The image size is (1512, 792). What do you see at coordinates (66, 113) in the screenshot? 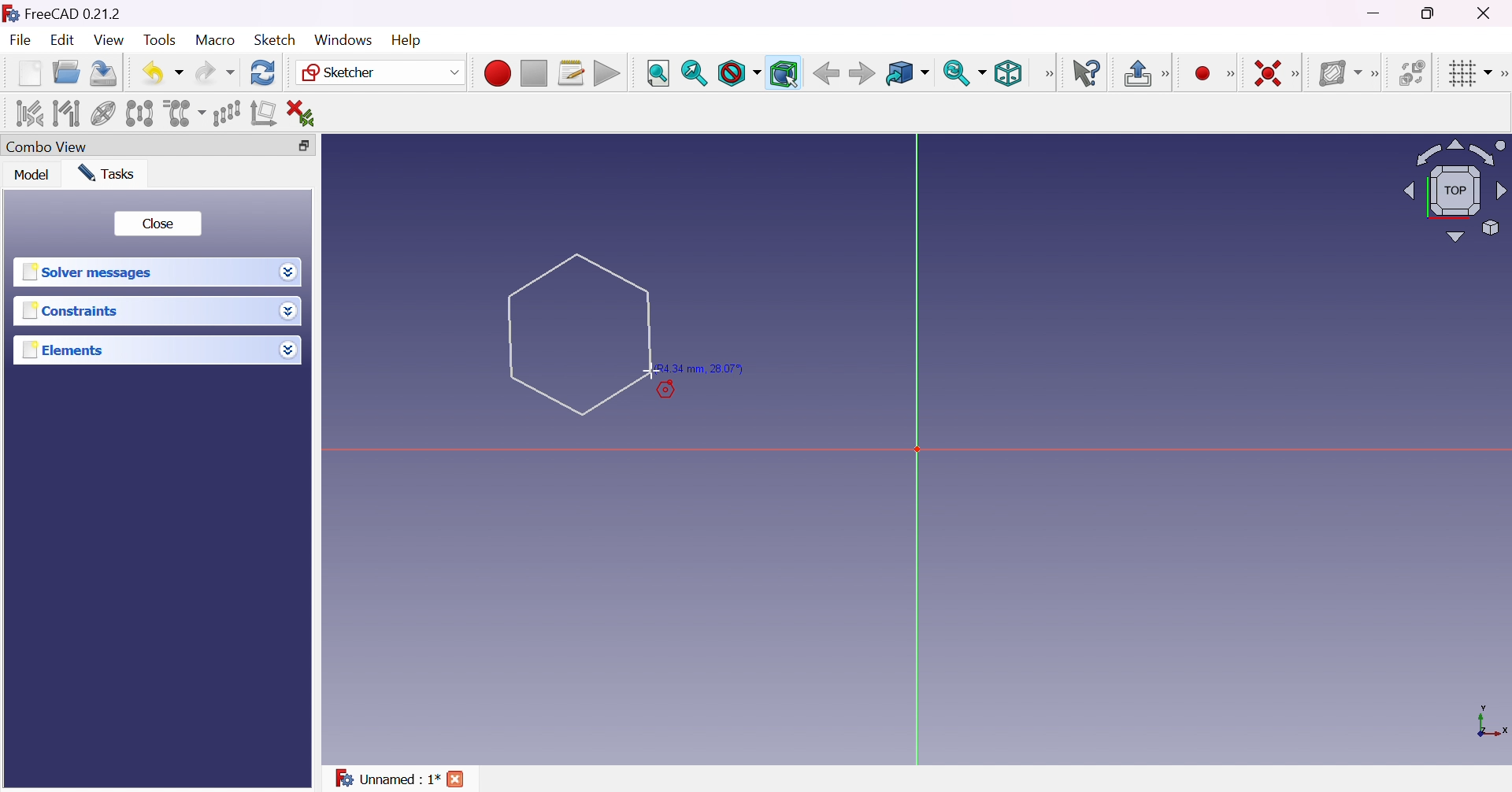
I see `Select associated geometry` at bounding box center [66, 113].